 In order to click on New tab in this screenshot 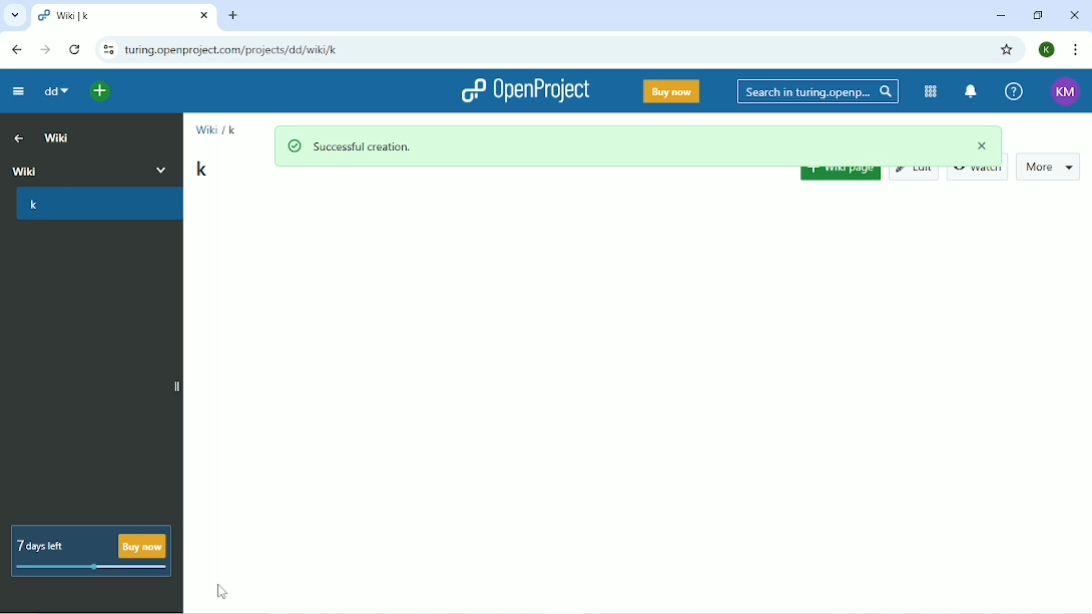, I will do `click(232, 16)`.